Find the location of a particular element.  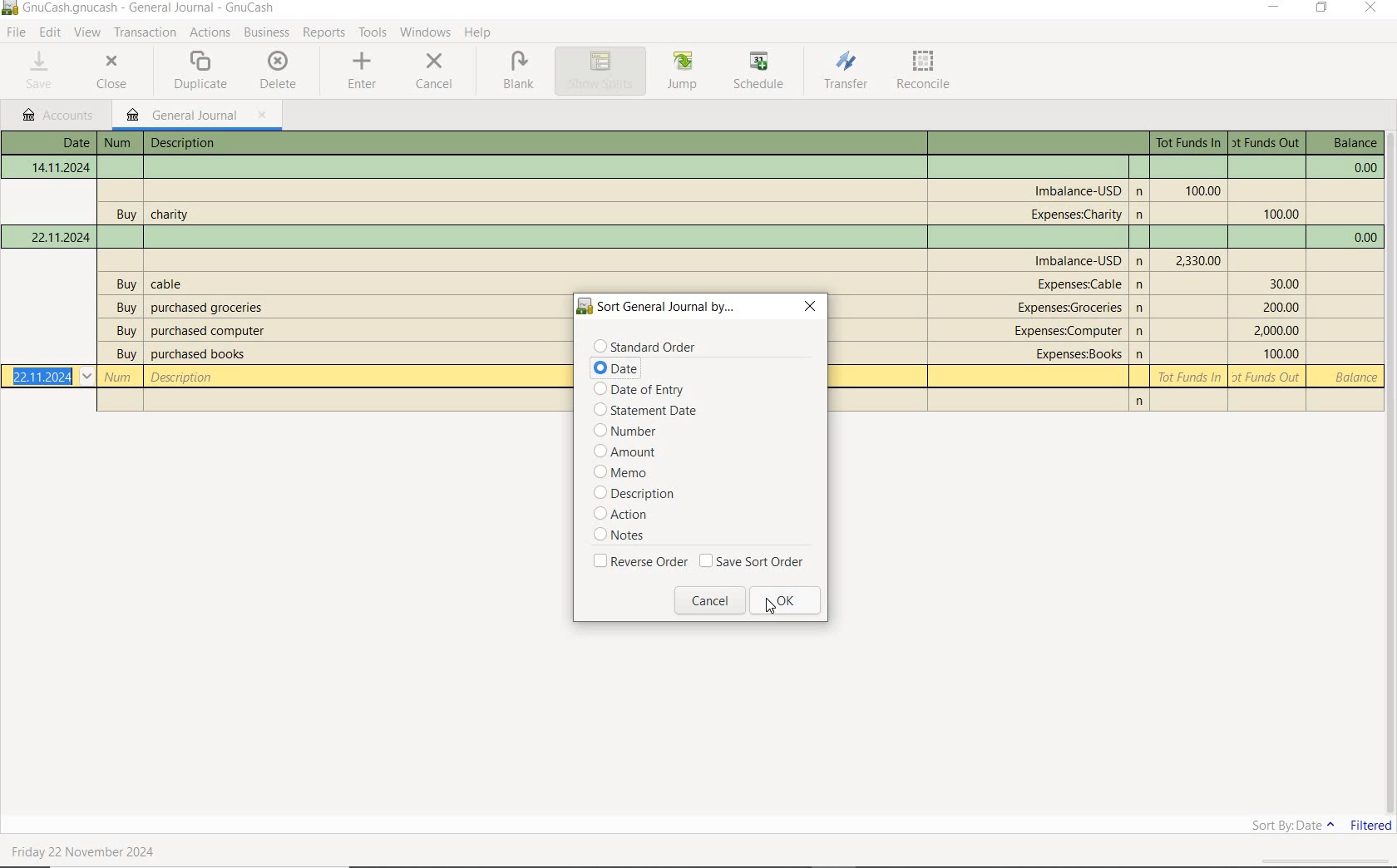

Date is located at coordinates (60, 236).